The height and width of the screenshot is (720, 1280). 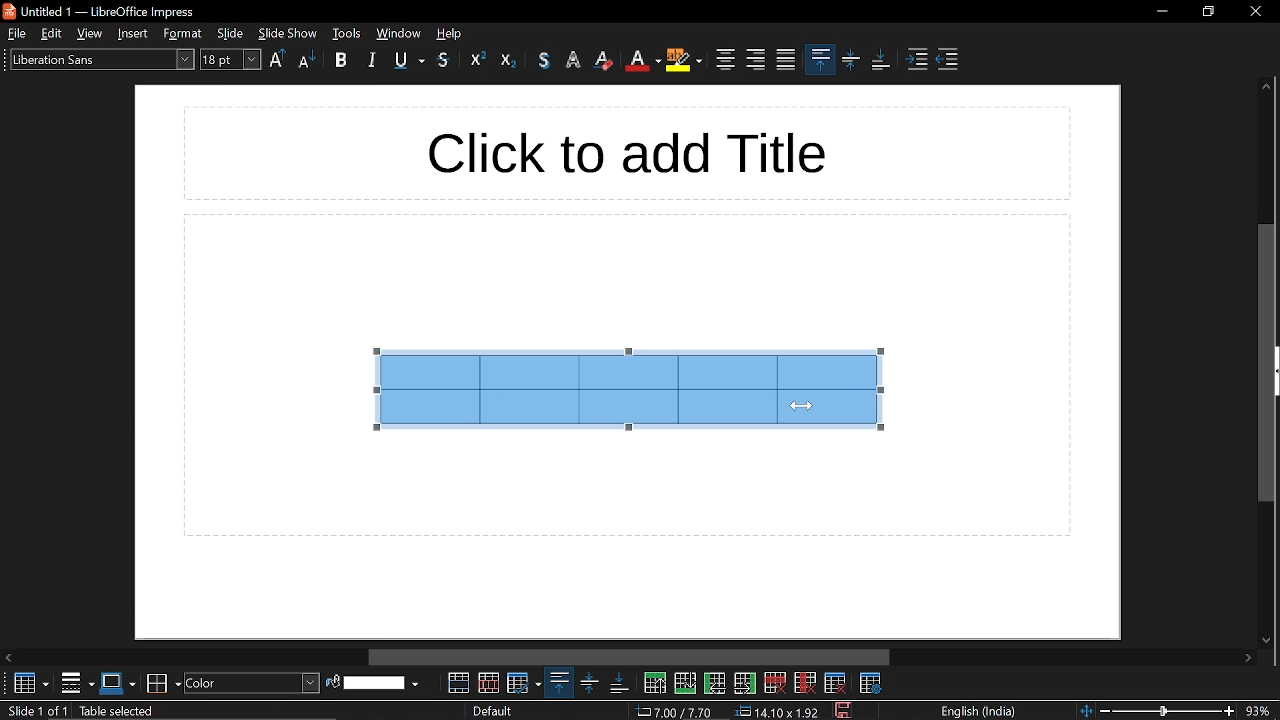 What do you see at coordinates (1230, 711) in the screenshot?
I see `zoom in` at bounding box center [1230, 711].